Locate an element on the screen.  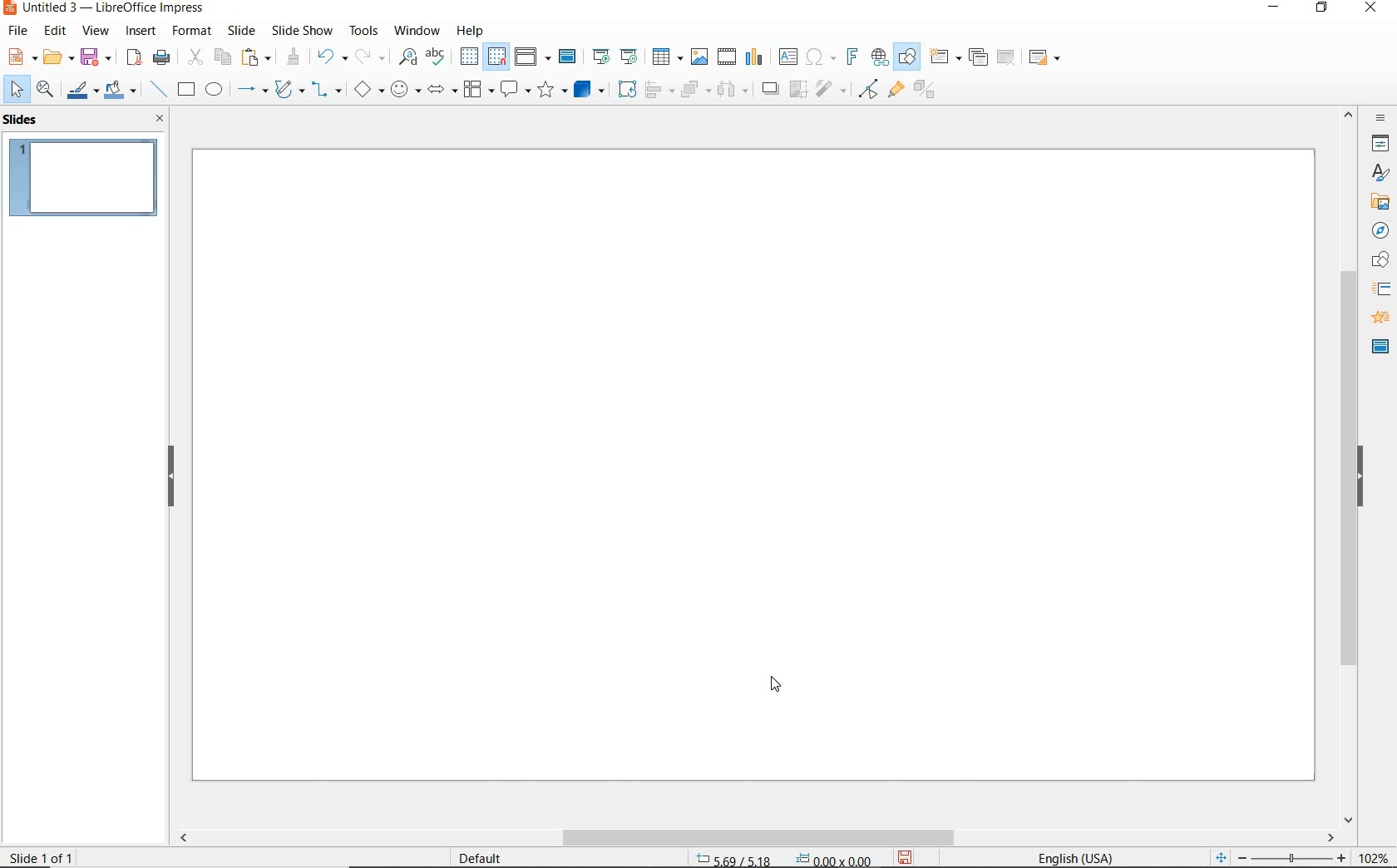
THREE OBJECTS TO DISTRIBUTE is located at coordinates (731, 91).